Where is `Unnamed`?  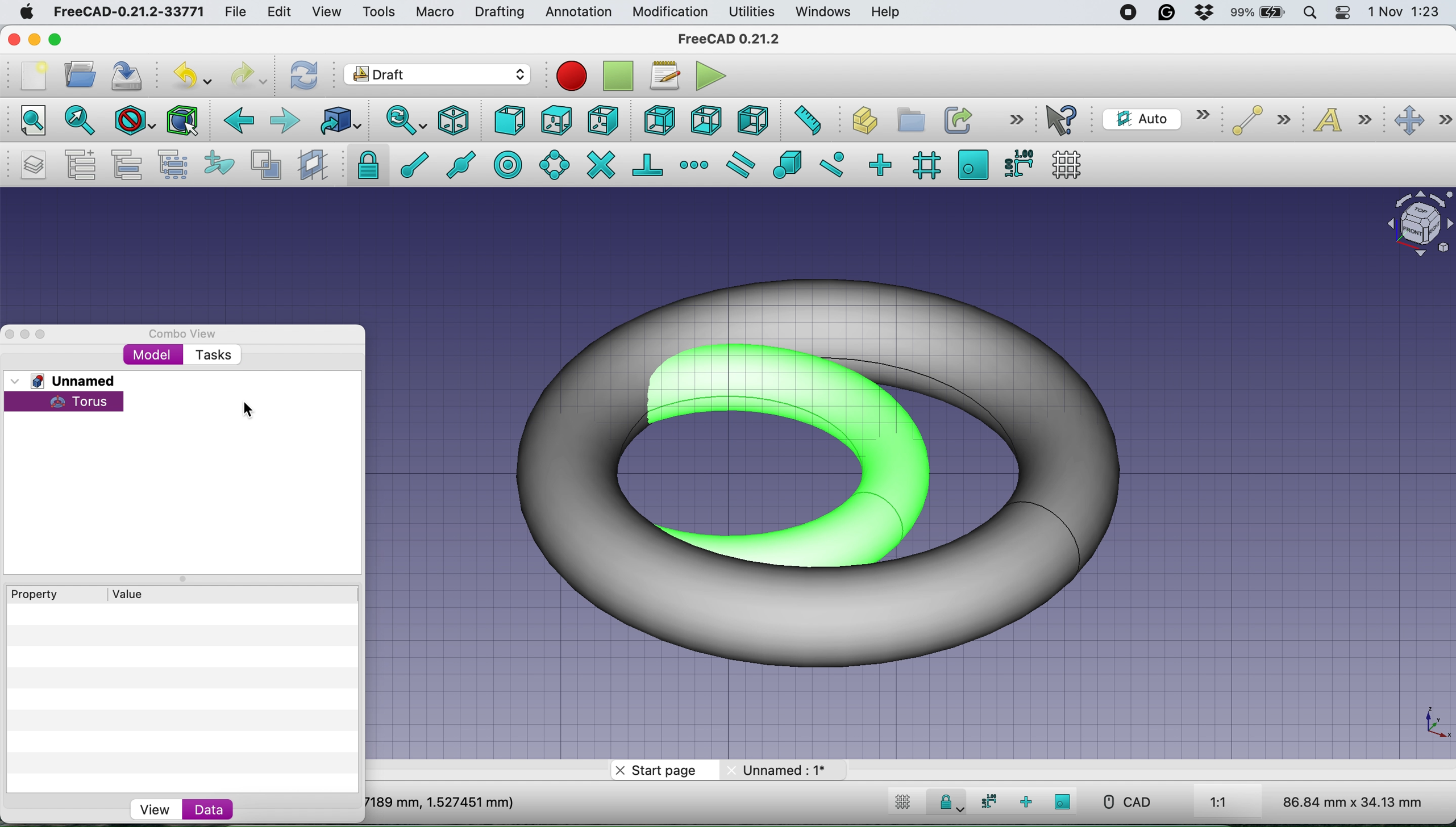 Unnamed is located at coordinates (68, 380).